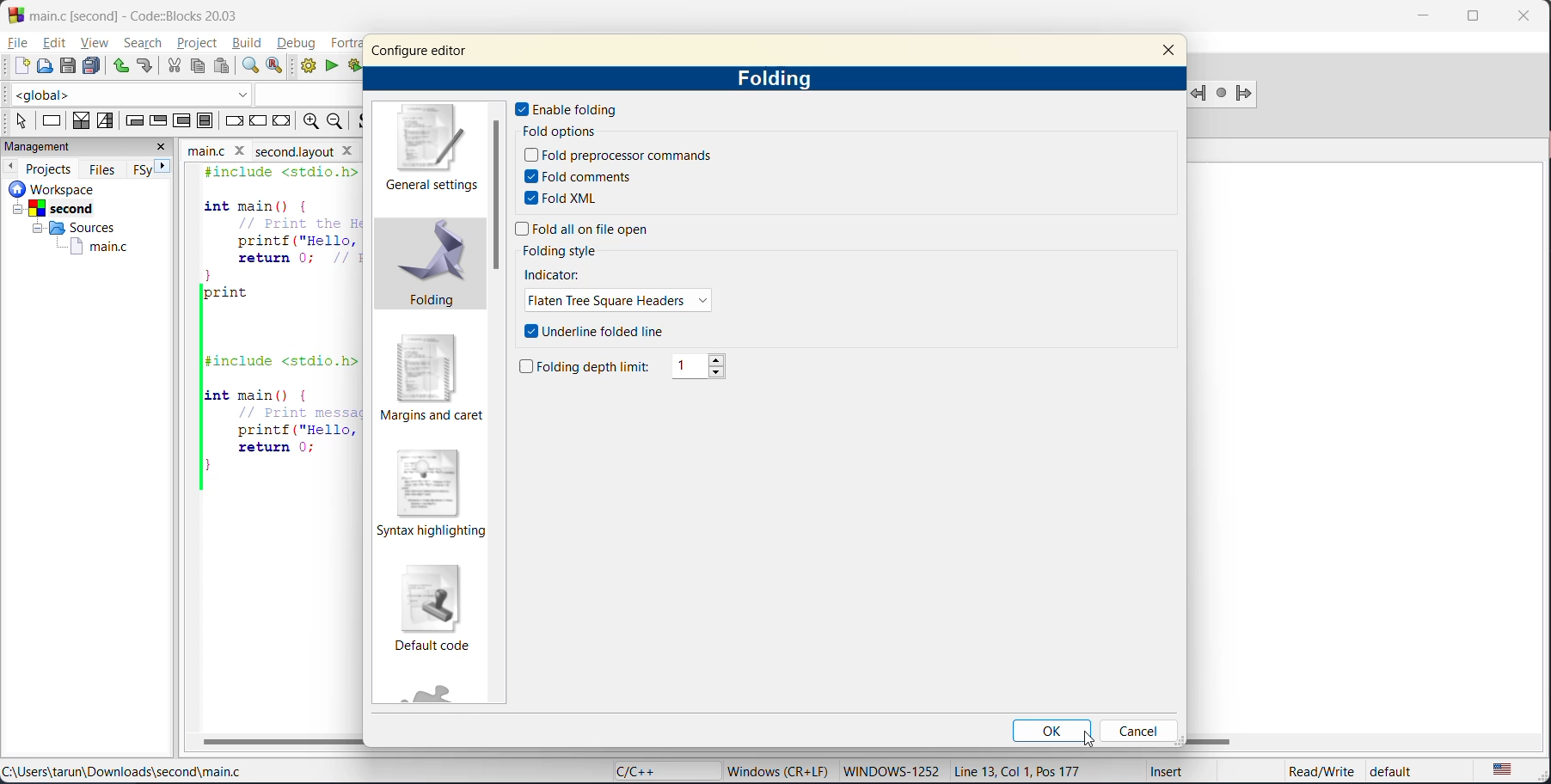  What do you see at coordinates (431, 613) in the screenshot?
I see `default code` at bounding box center [431, 613].